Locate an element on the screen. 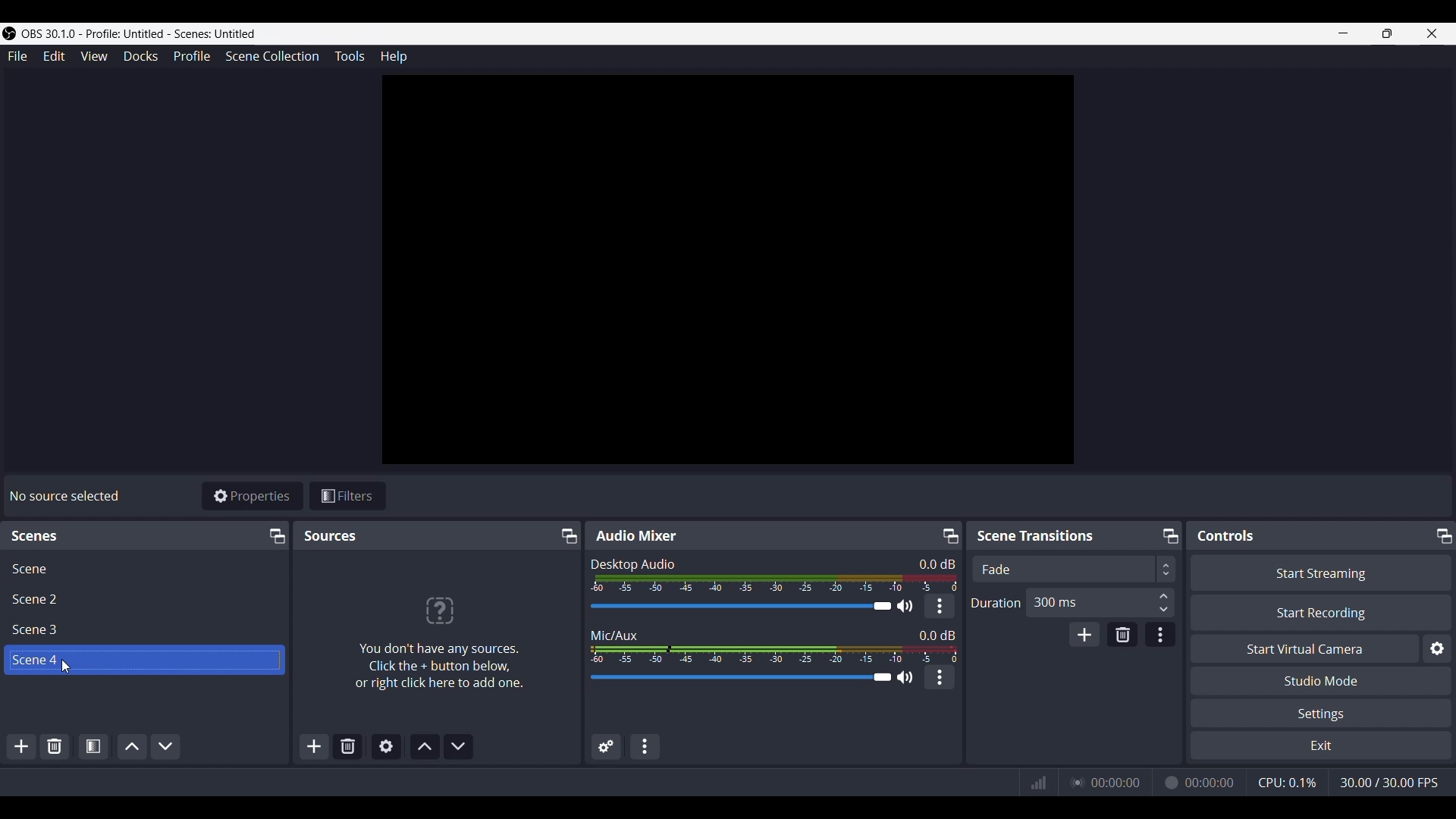 The height and width of the screenshot is (819, 1456). Properties is located at coordinates (252, 495).